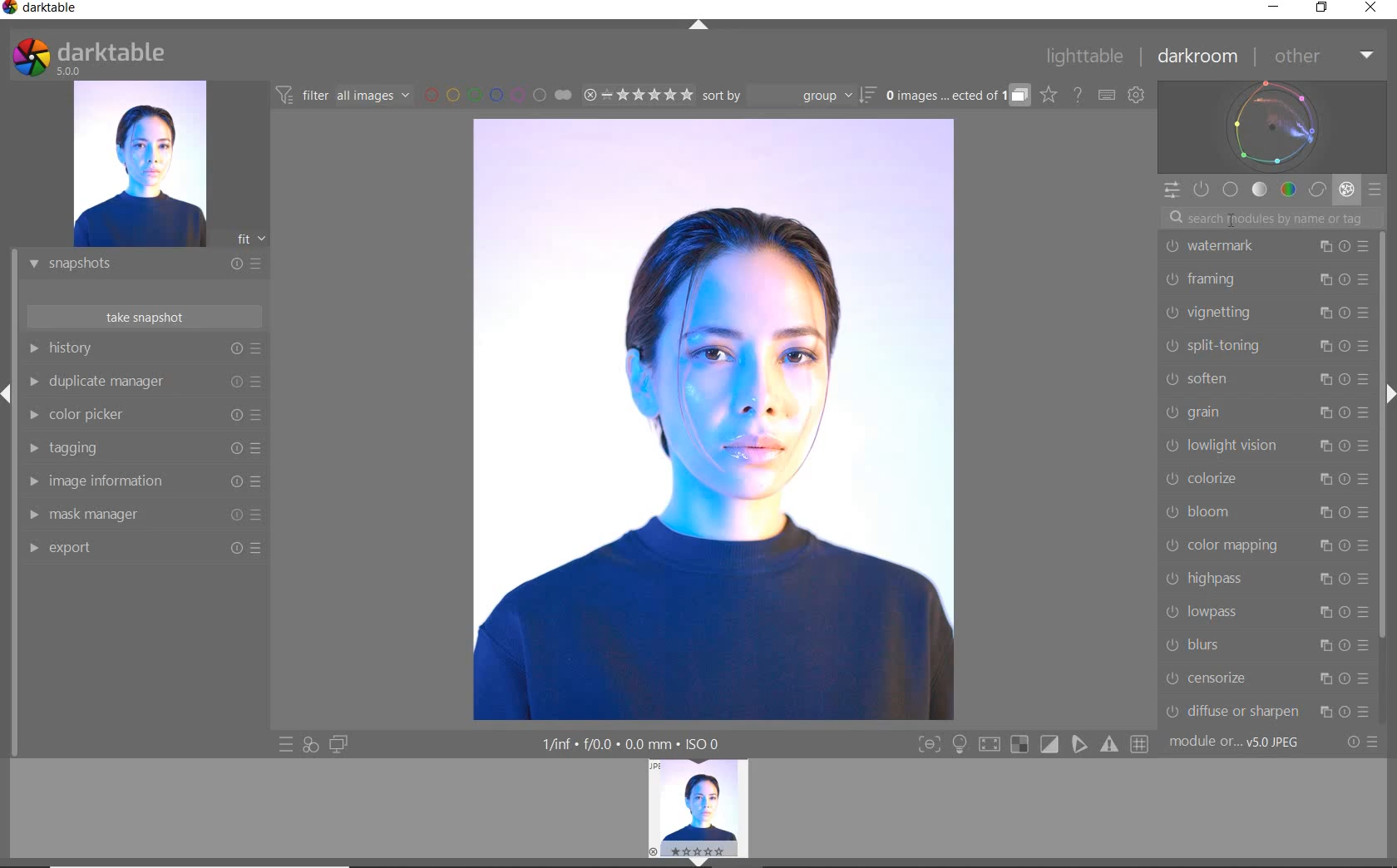 The height and width of the screenshot is (868, 1397). What do you see at coordinates (143, 382) in the screenshot?
I see `DUPLICATE MANAGER` at bounding box center [143, 382].